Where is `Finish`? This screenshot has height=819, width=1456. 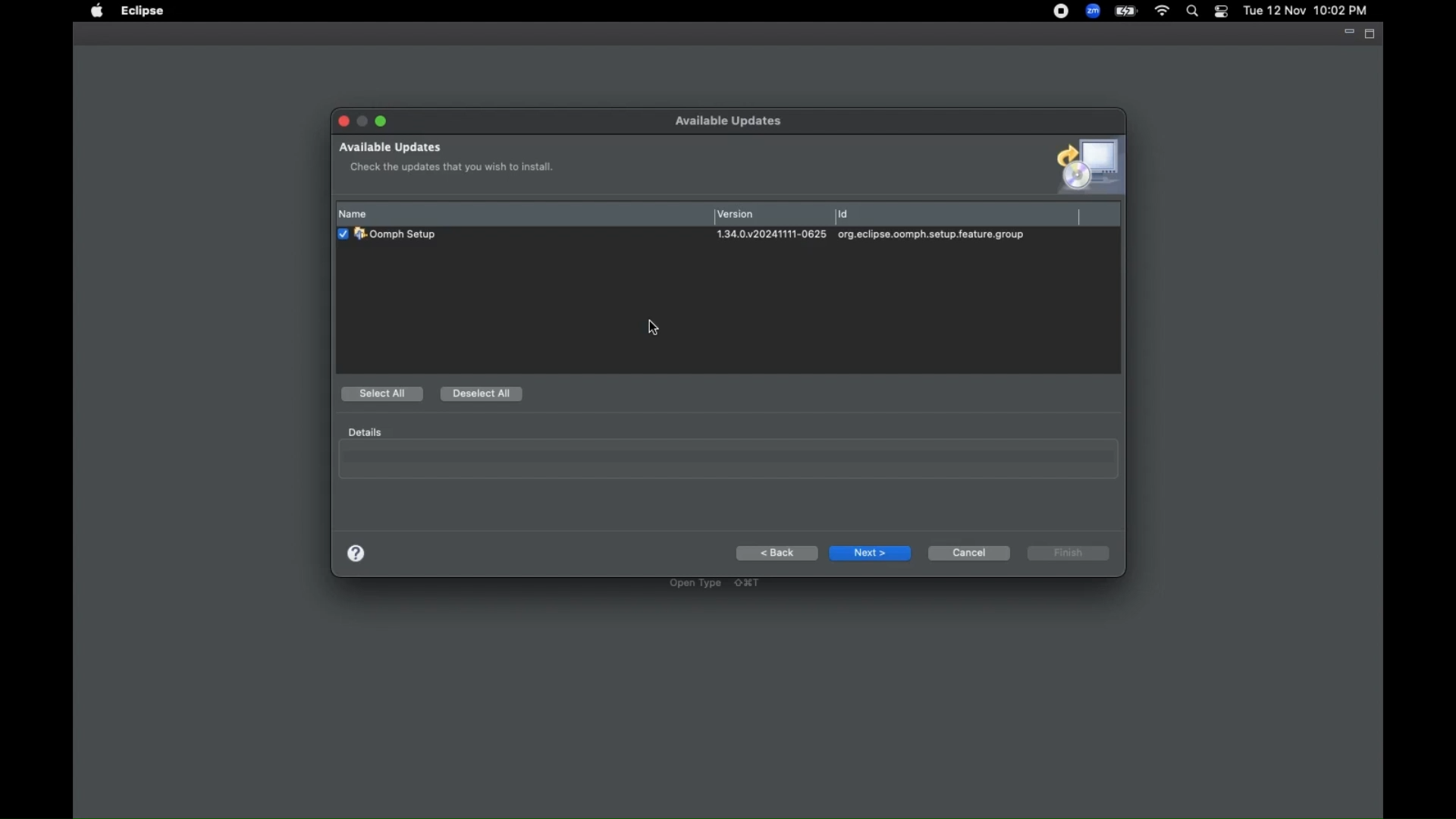
Finish is located at coordinates (1068, 555).